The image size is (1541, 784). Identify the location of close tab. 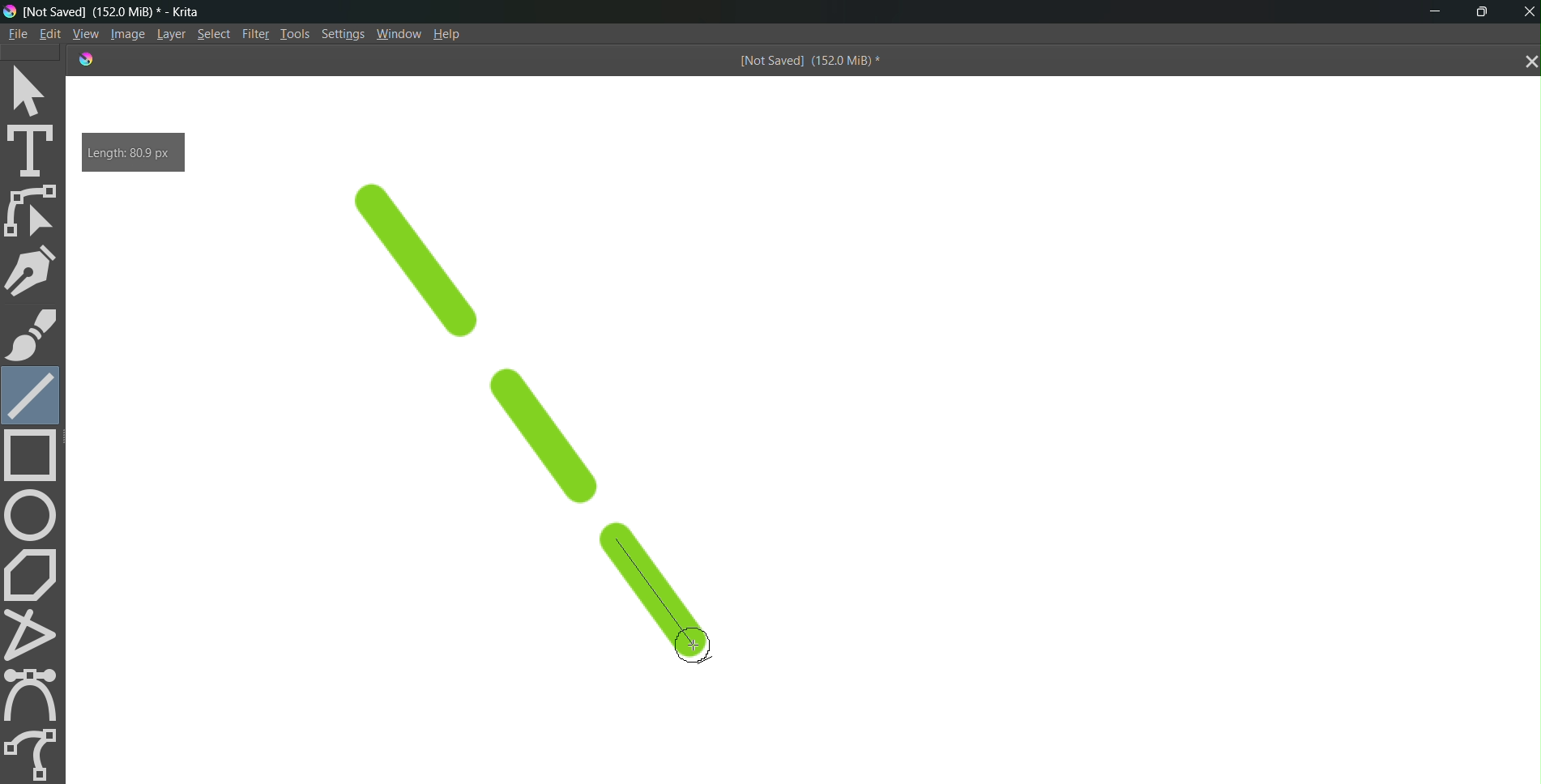
(1526, 62).